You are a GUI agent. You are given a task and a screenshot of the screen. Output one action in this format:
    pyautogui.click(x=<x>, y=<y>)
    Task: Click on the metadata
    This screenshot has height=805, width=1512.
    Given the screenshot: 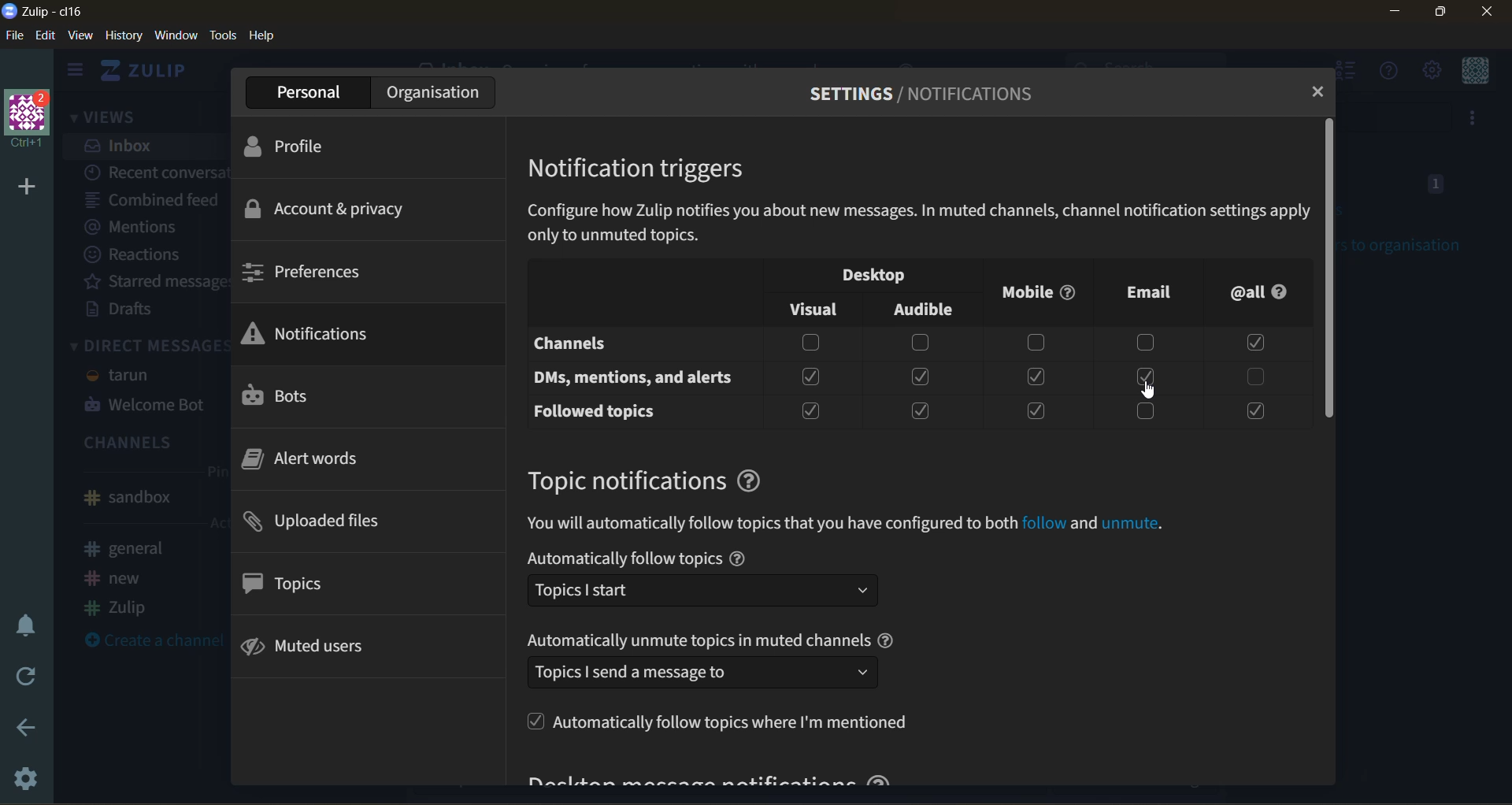 What is the action you would take?
    pyautogui.click(x=919, y=225)
    